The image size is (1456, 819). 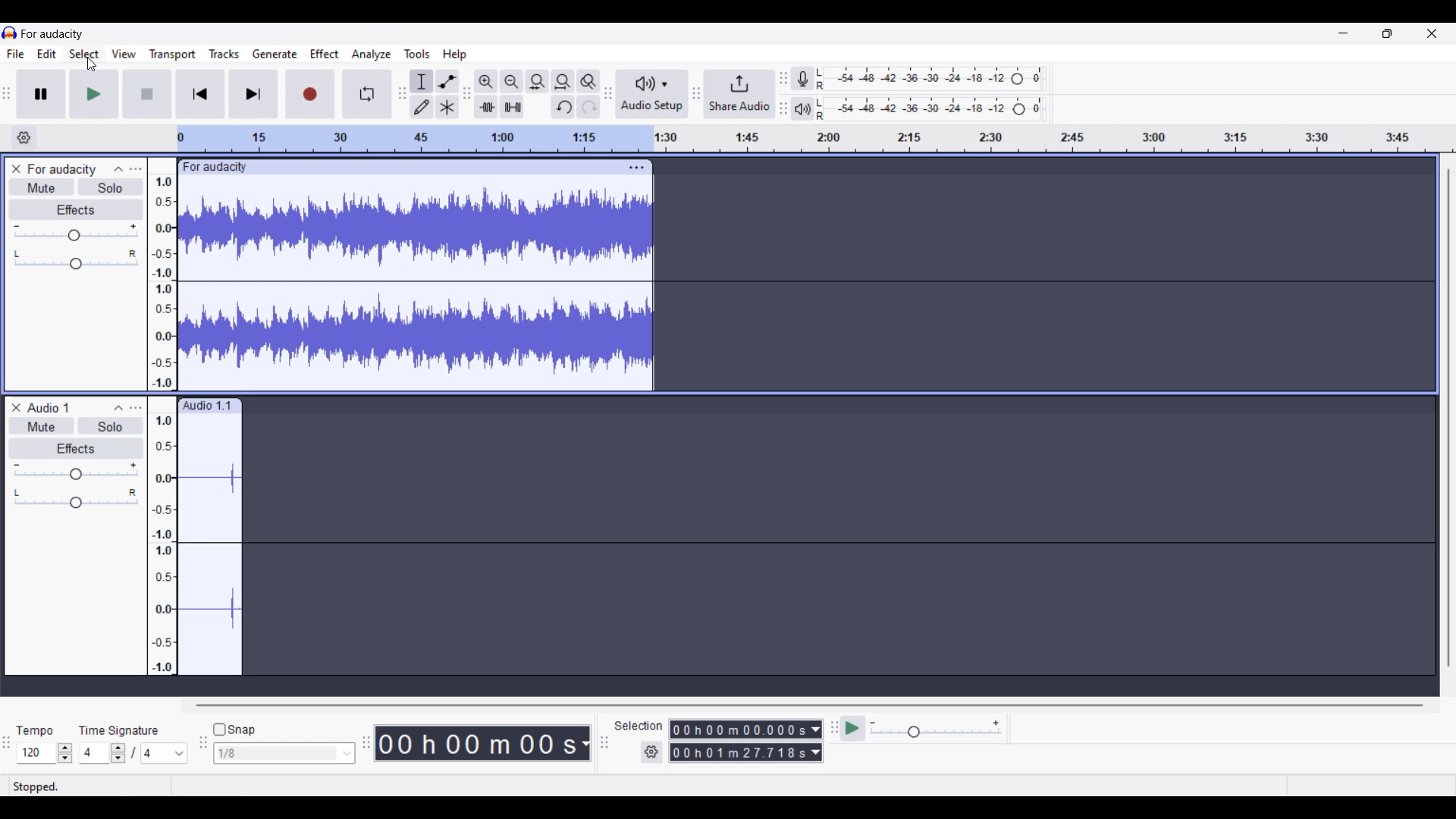 What do you see at coordinates (585, 743) in the screenshot?
I see `Duration measurement` at bounding box center [585, 743].